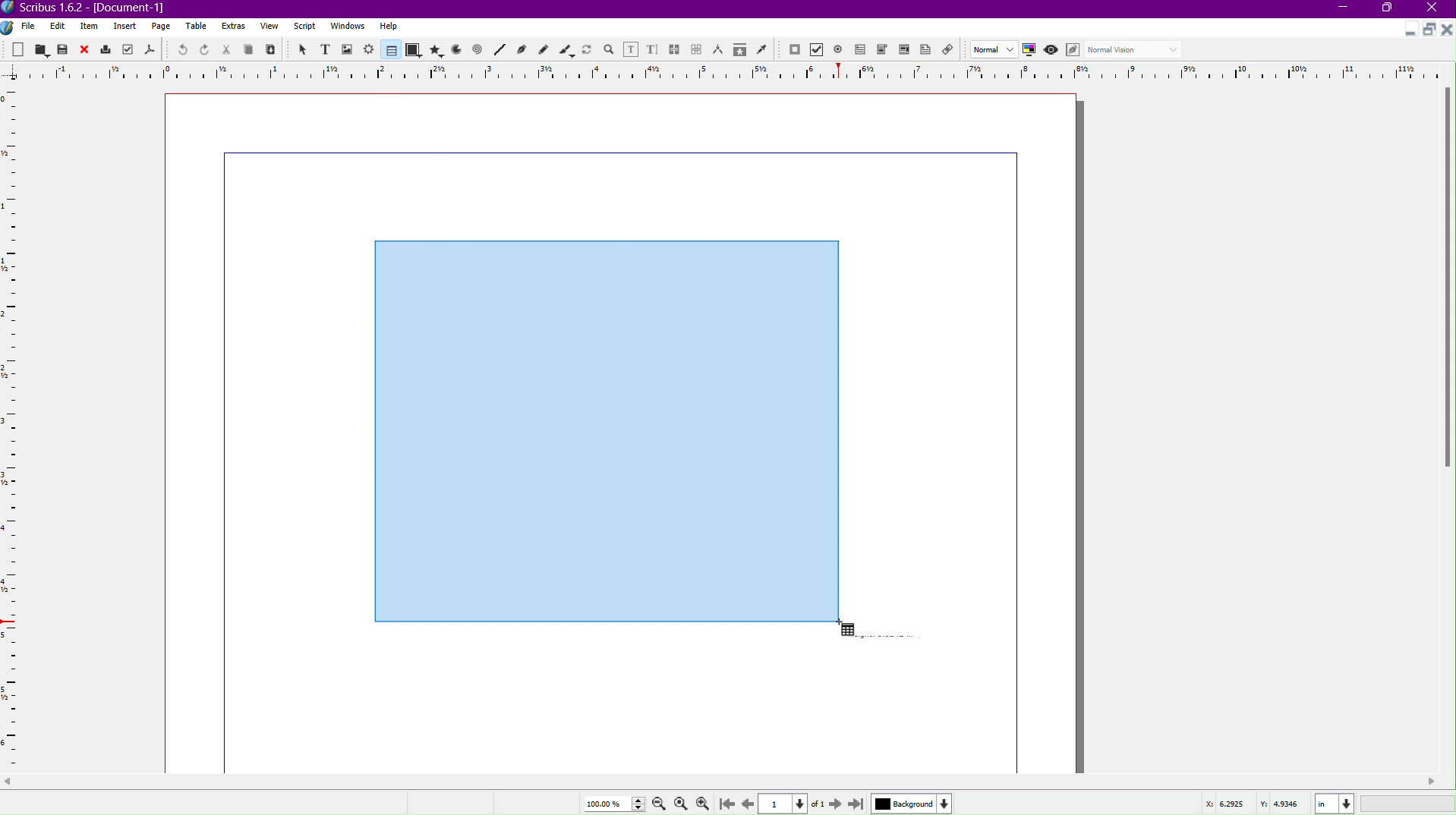 Image resolution: width=1456 pixels, height=815 pixels. What do you see at coordinates (544, 49) in the screenshot?
I see `Freehand Line` at bounding box center [544, 49].